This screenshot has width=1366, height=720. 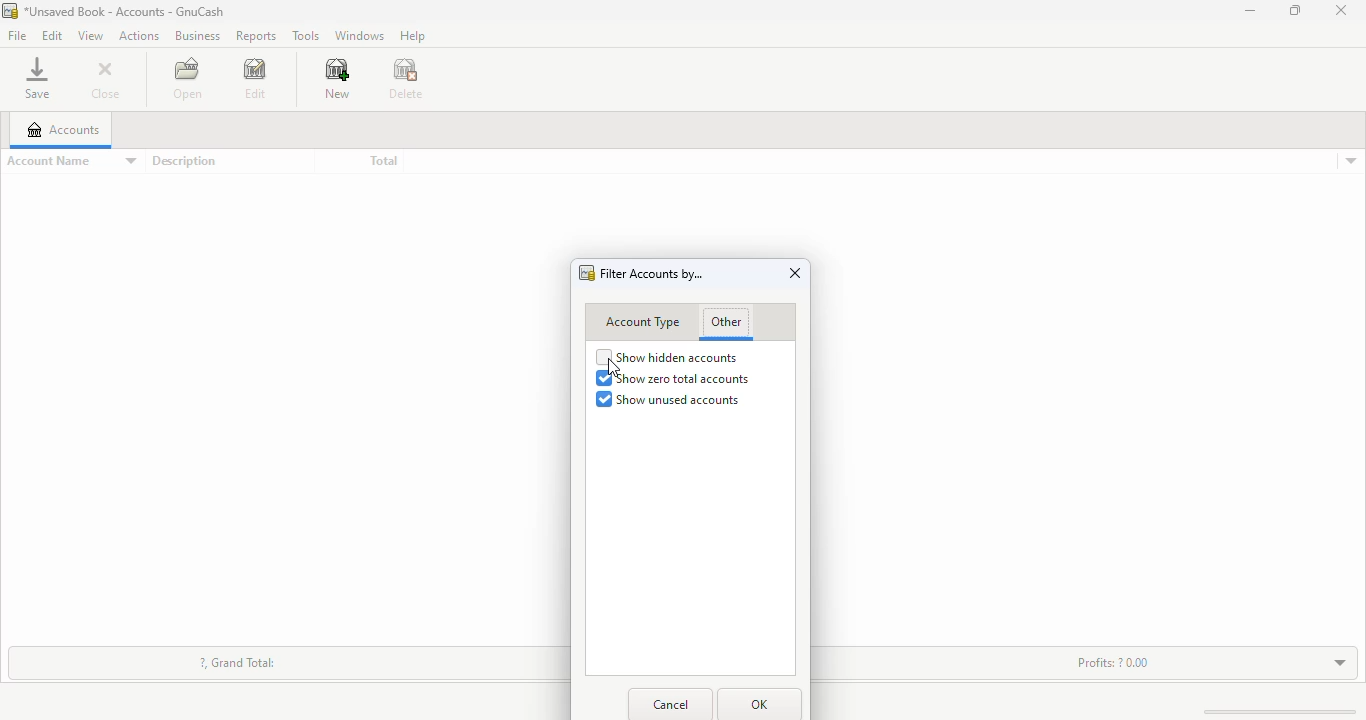 I want to click on scroll, so click(x=1269, y=711).